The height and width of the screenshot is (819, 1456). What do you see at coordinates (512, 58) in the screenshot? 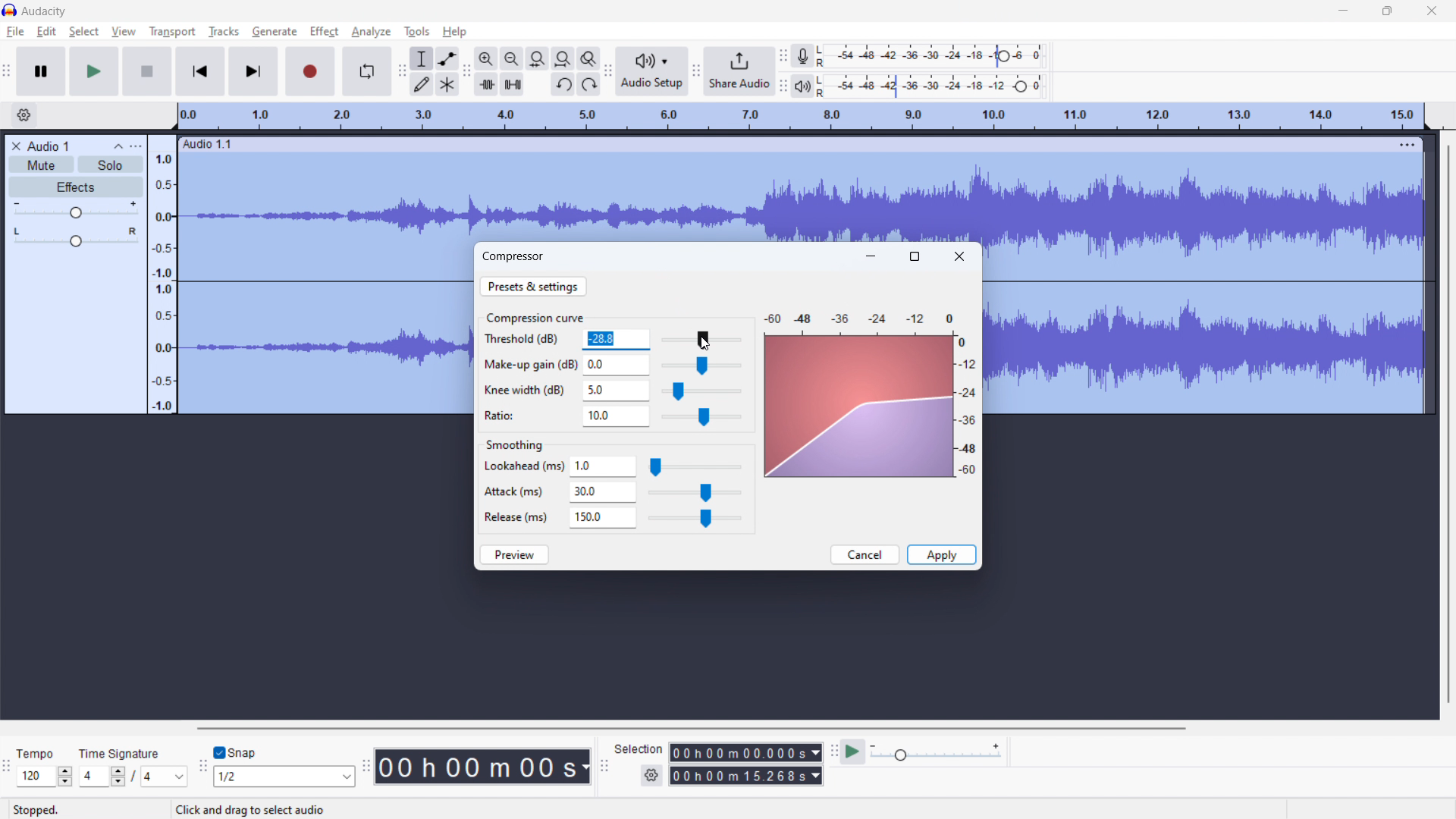
I see `zoom out` at bounding box center [512, 58].